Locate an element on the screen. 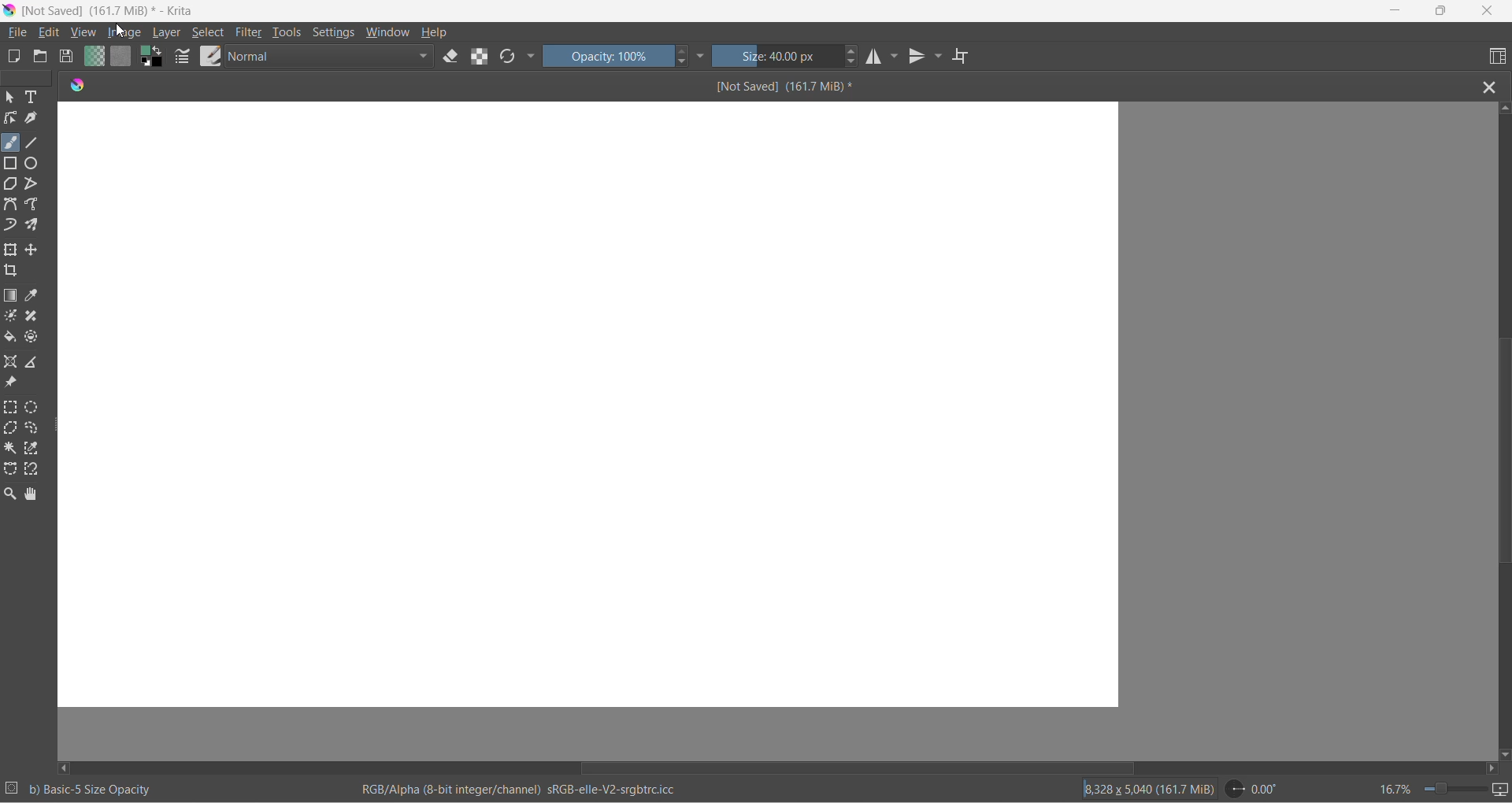  smart patch tool is located at coordinates (36, 317).